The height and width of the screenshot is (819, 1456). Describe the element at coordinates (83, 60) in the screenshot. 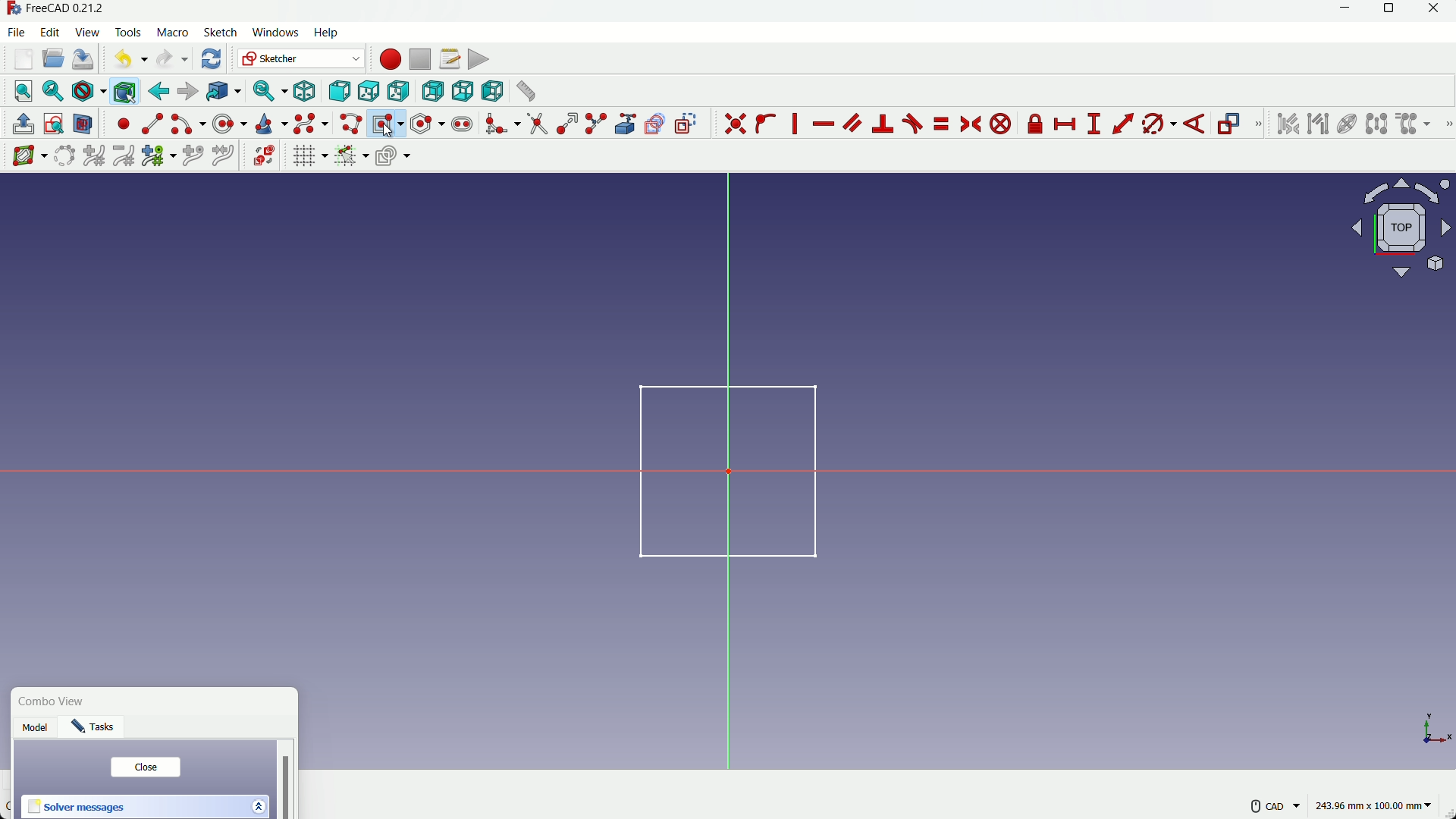

I see `save file` at that location.